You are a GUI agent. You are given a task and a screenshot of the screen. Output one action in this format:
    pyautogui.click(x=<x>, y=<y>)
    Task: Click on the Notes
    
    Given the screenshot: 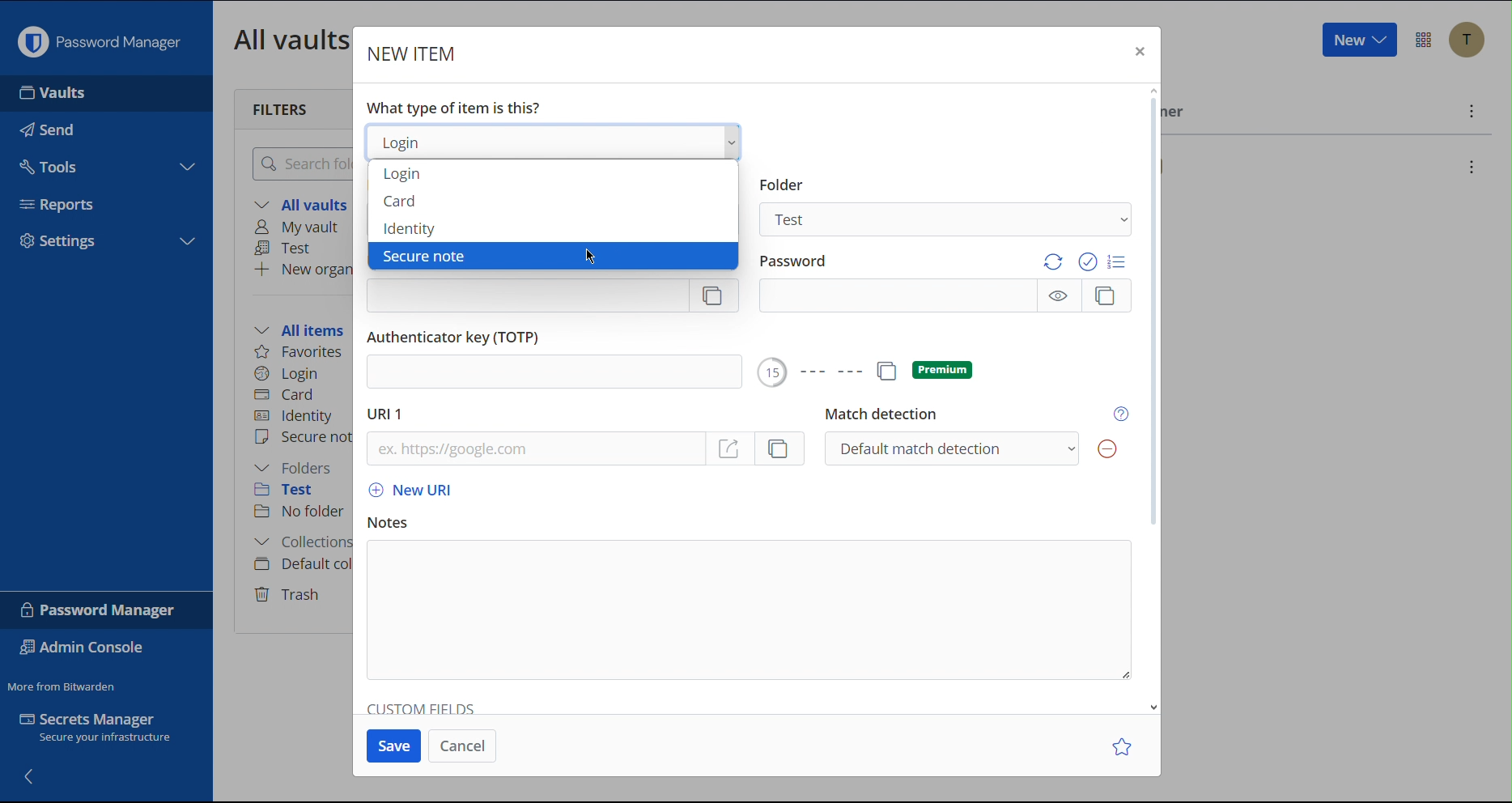 What is the action you would take?
    pyautogui.click(x=749, y=610)
    